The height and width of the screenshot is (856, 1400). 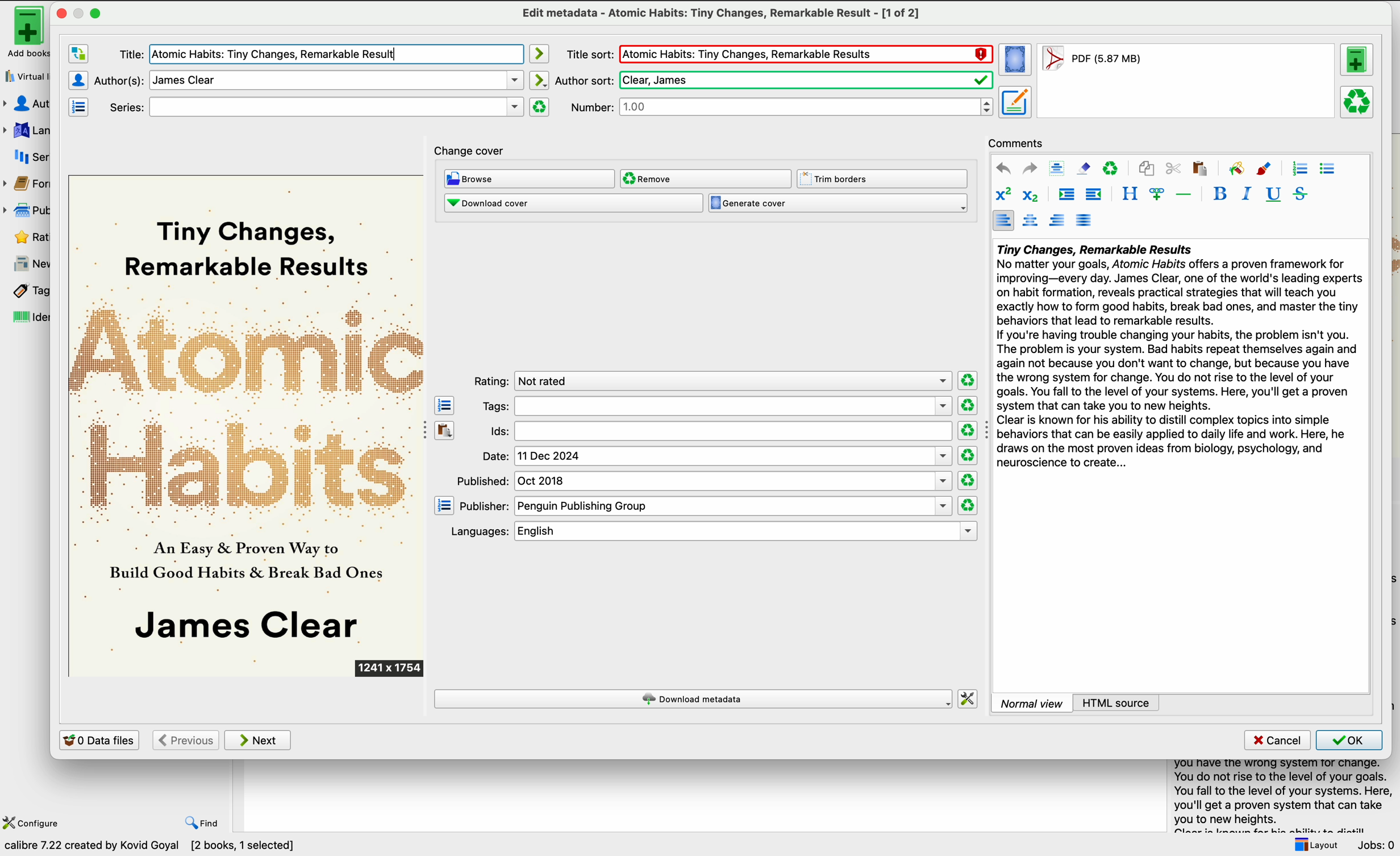 What do you see at coordinates (773, 79) in the screenshot?
I see `author sort:` at bounding box center [773, 79].